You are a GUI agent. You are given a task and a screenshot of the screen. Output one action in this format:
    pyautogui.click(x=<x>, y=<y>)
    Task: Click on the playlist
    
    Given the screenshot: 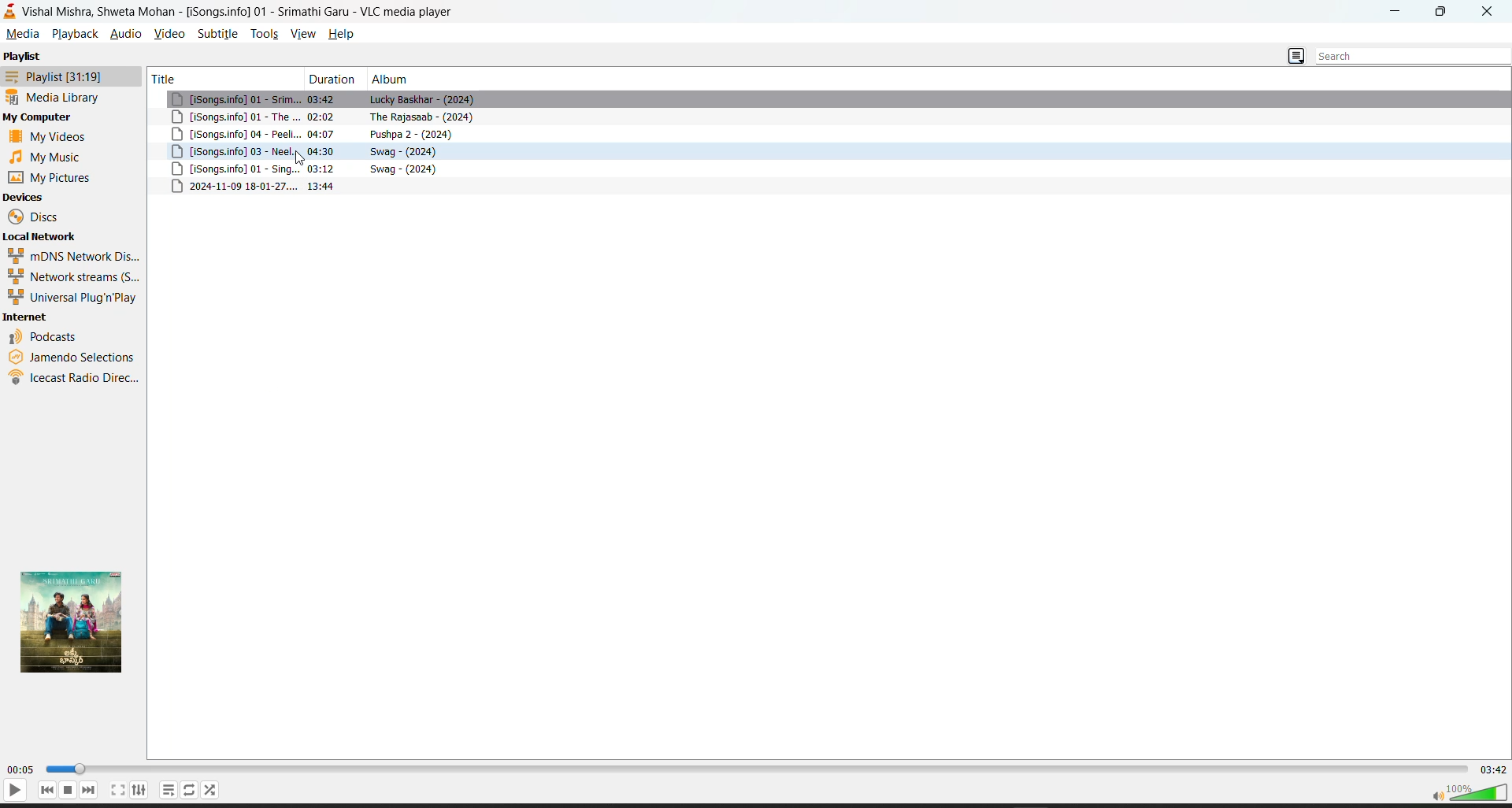 What is the action you would take?
    pyautogui.click(x=24, y=55)
    